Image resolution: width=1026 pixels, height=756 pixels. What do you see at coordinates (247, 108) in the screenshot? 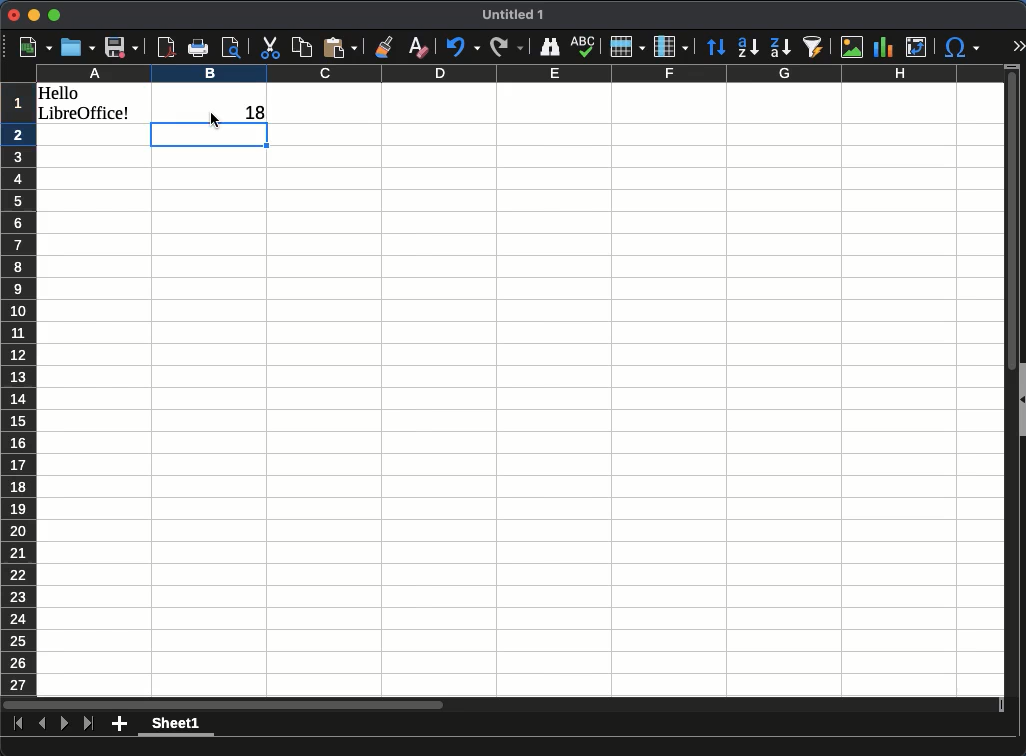
I see `LEN function output "18"` at bounding box center [247, 108].